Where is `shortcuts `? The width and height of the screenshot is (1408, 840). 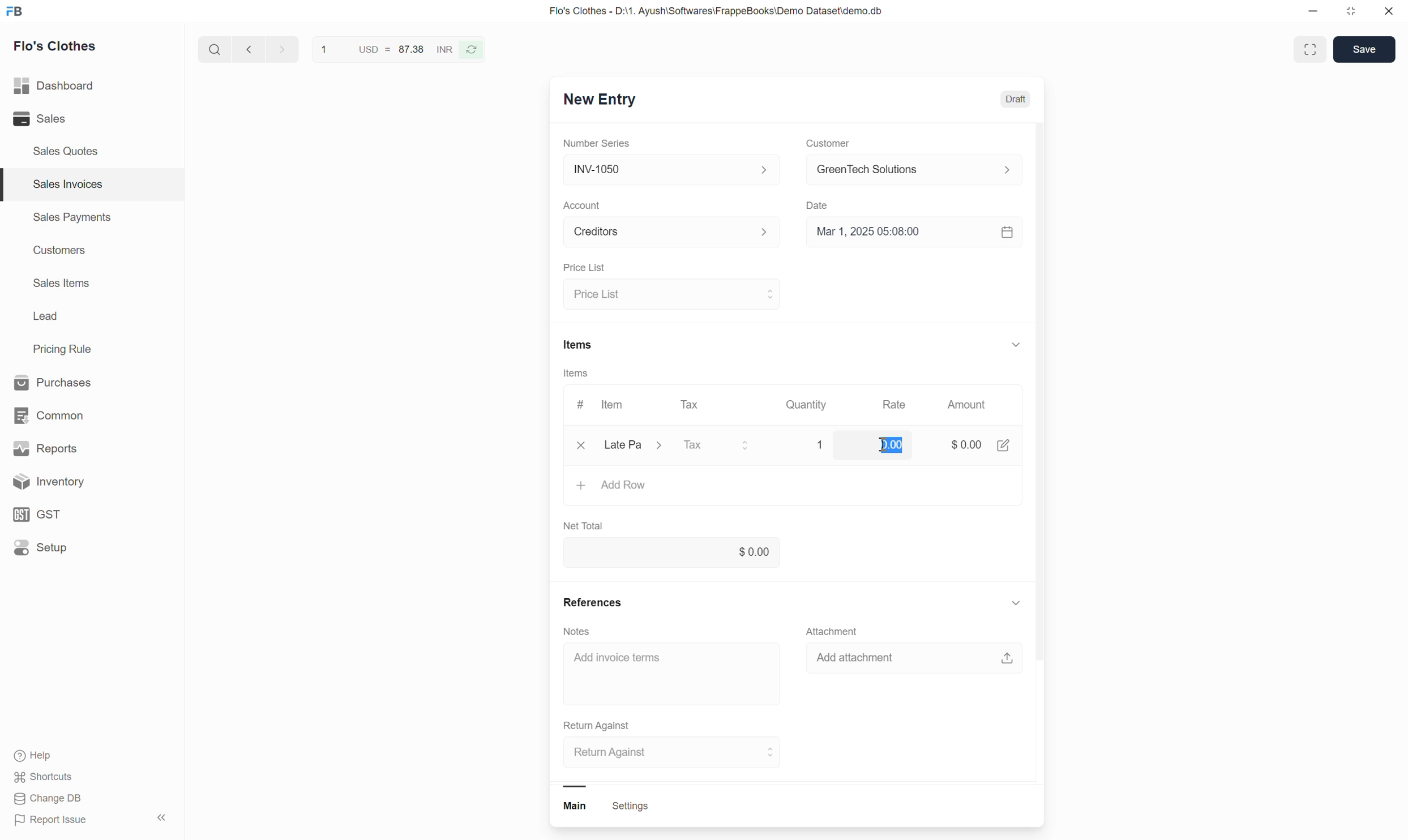 shortcuts  is located at coordinates (54, 777).